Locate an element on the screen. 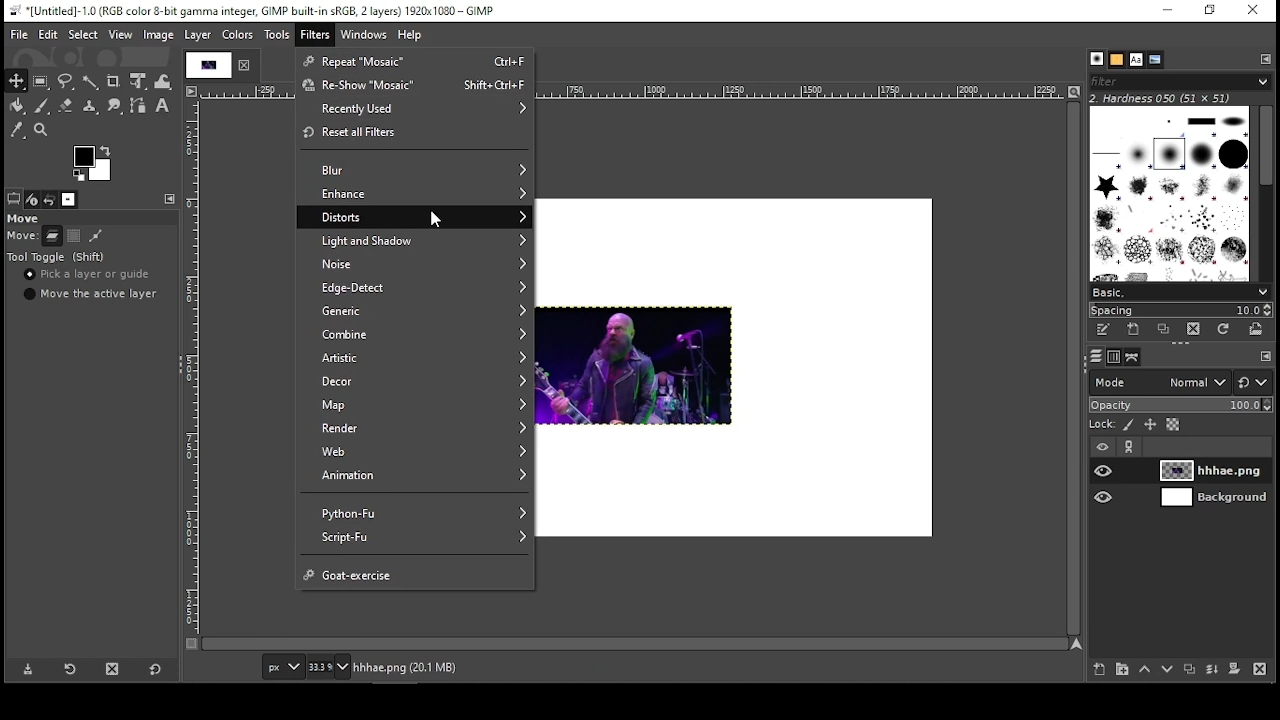  duplicate layer is located at coordinates (1190, 672).